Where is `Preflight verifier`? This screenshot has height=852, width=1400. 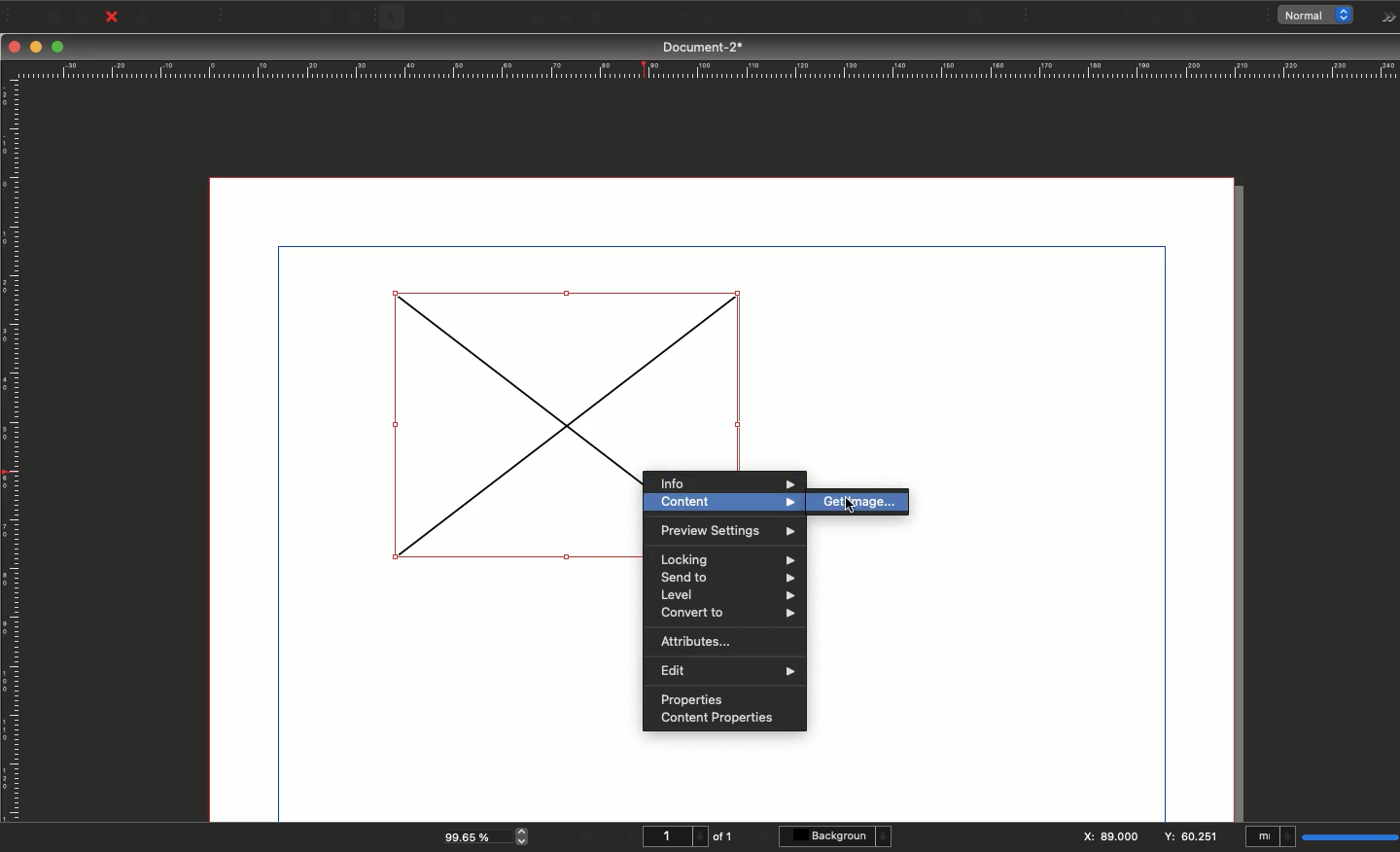 Preflight verifier is located at coordinates (172, 20).